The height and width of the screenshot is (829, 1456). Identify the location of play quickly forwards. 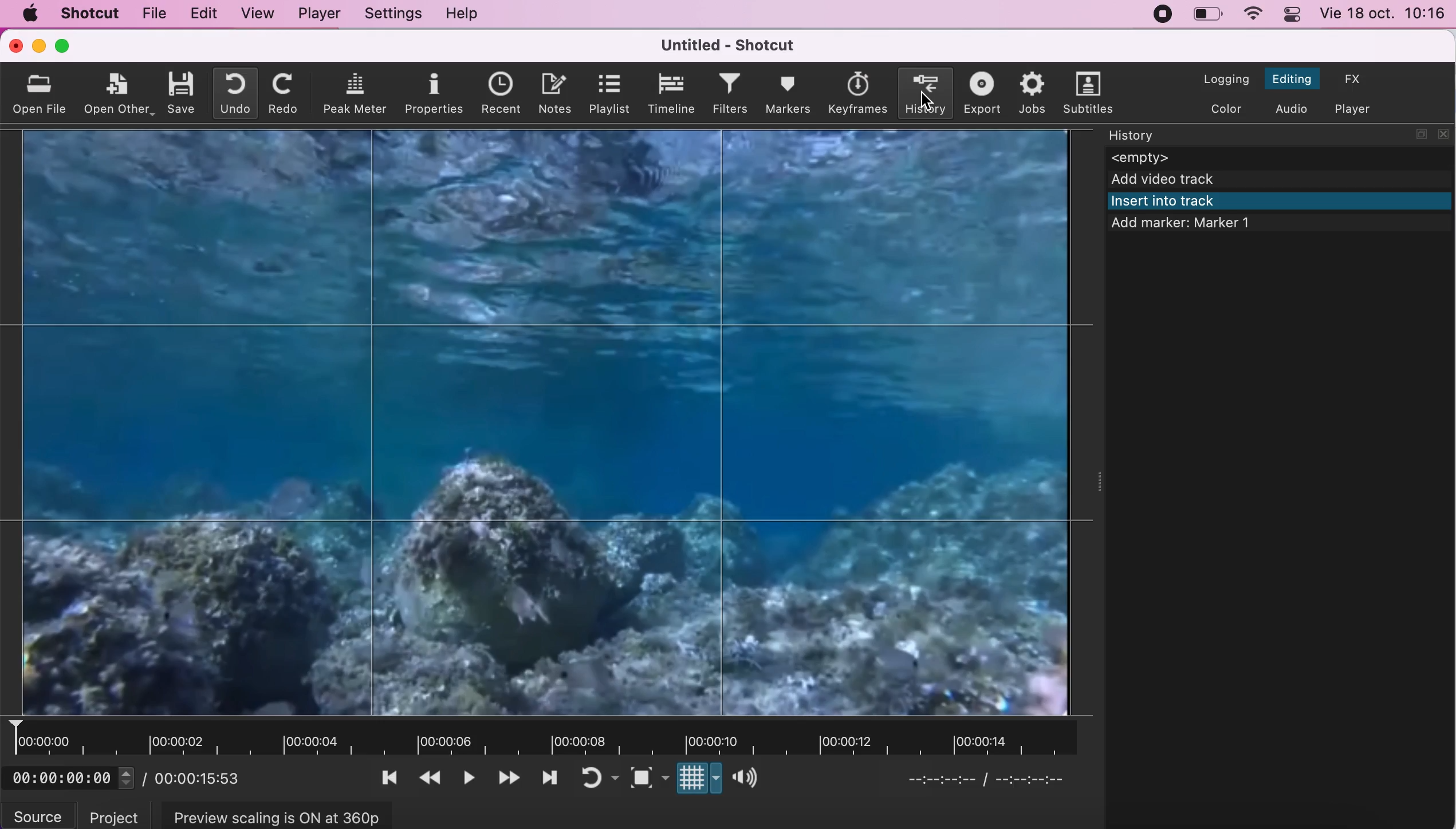
(511, 775).